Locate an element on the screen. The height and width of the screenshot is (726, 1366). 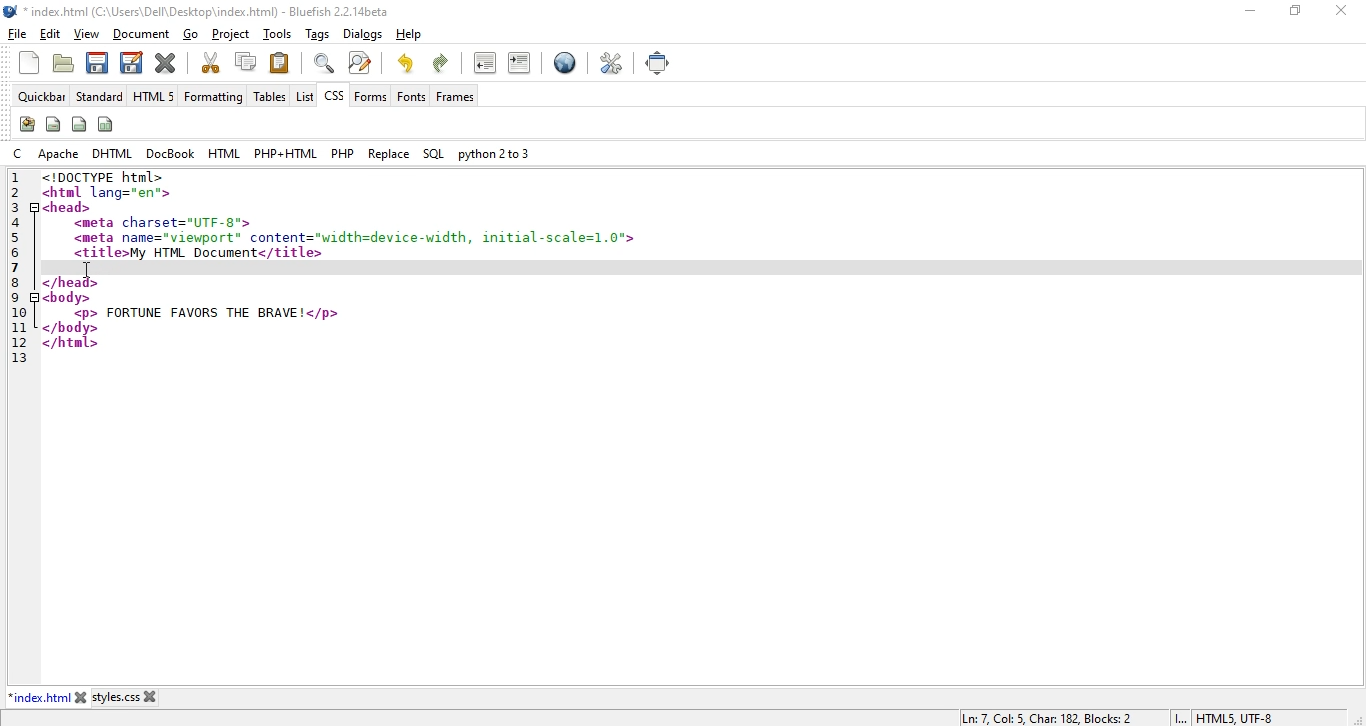
list is located at coordinates (304, 96).